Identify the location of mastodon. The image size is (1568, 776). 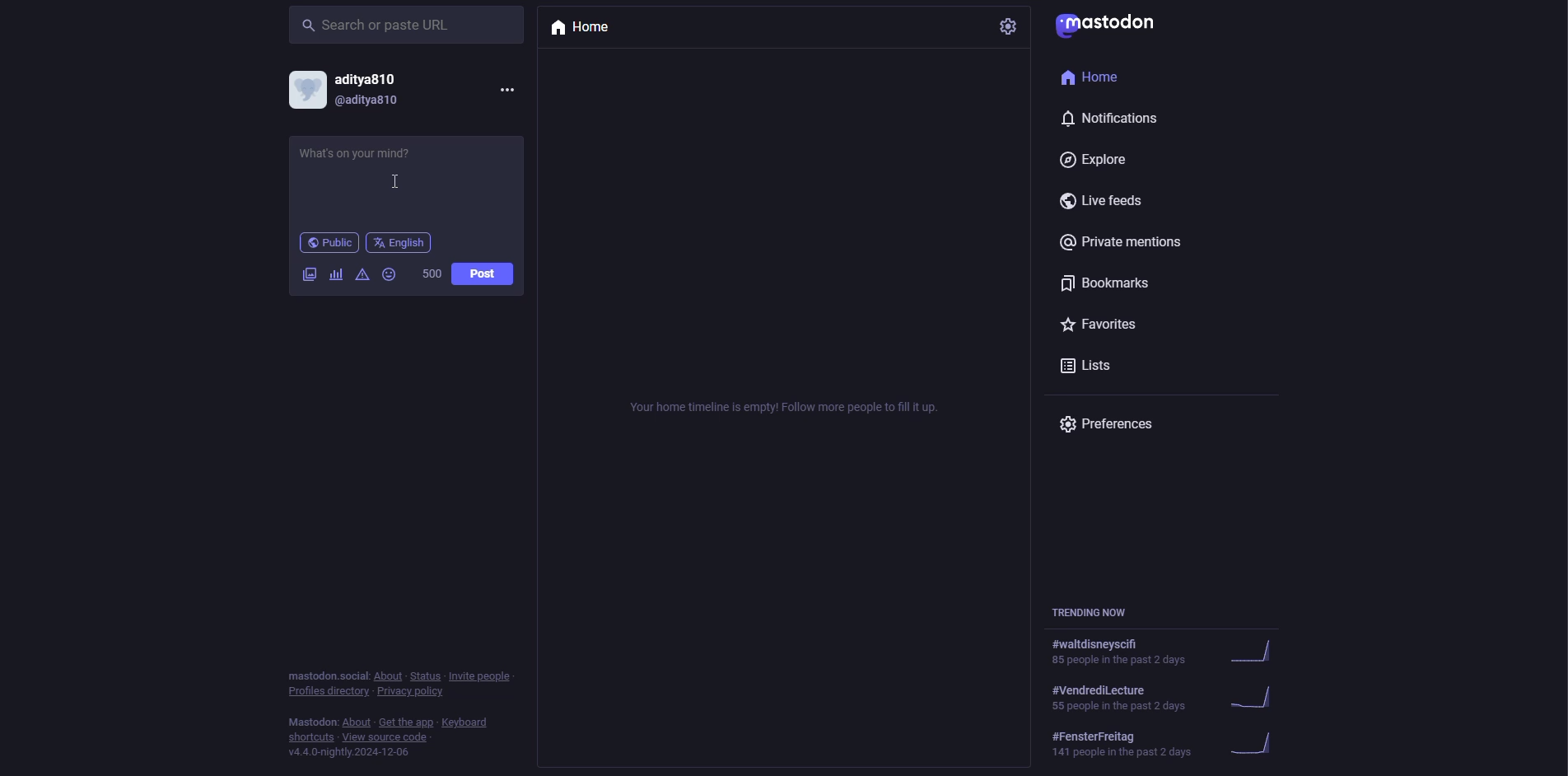
(1110, 27).